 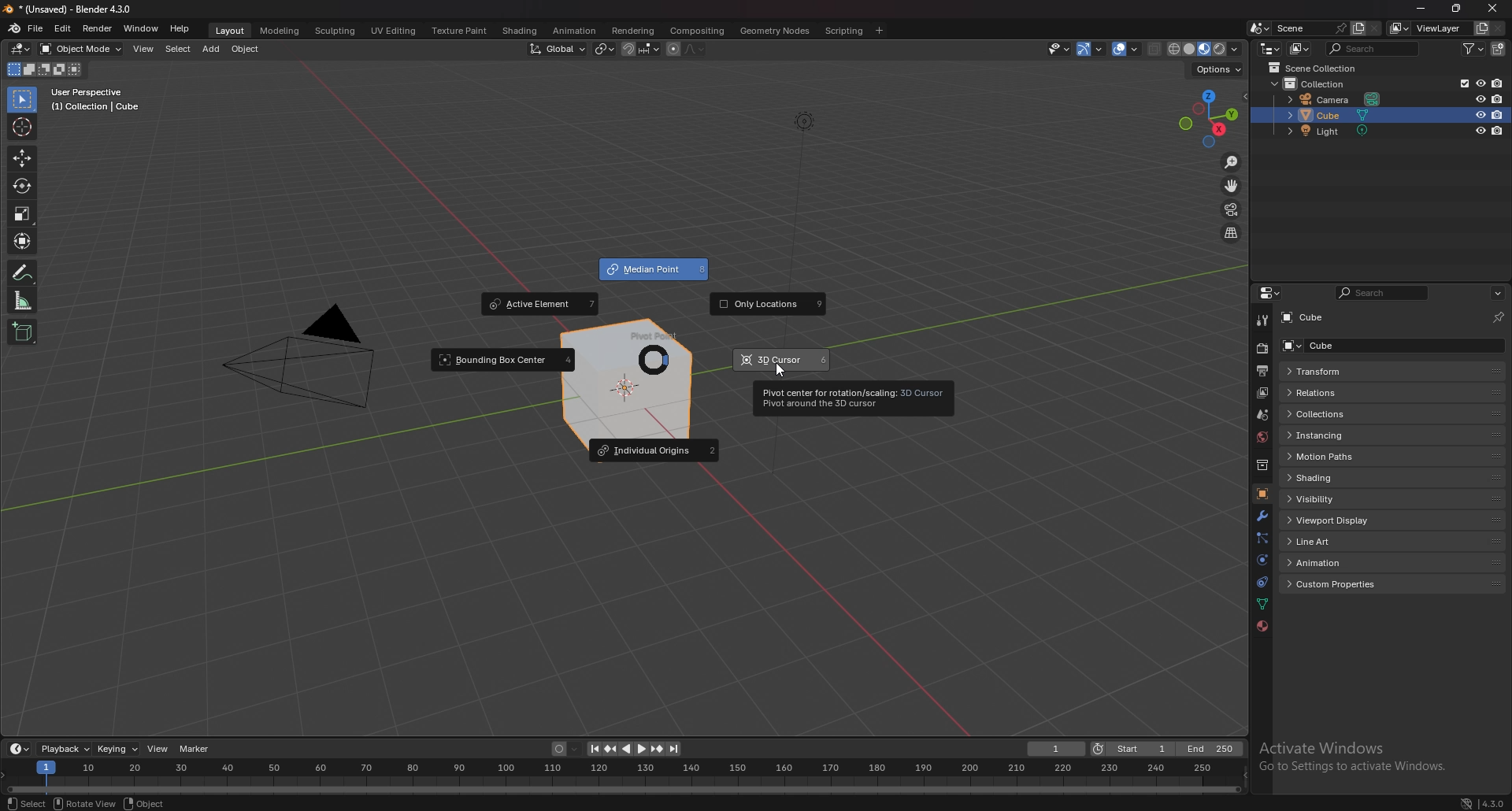 What do you see at coordinates (540, 304) in the screenshot?
I see `acctive element` at bounding box center [540, 304].